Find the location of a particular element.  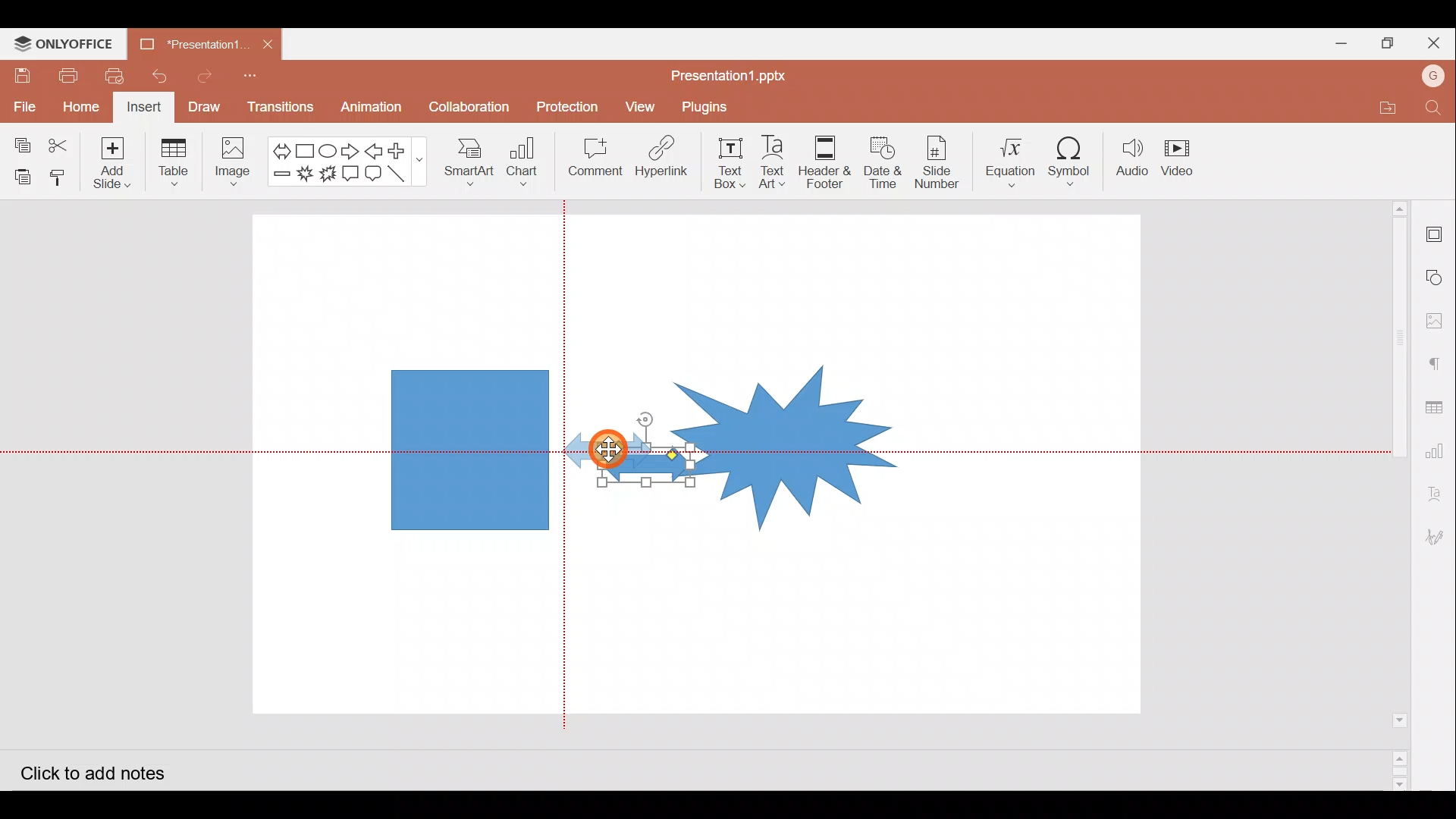

Shapes settings is located at coordinates (1436, 275).